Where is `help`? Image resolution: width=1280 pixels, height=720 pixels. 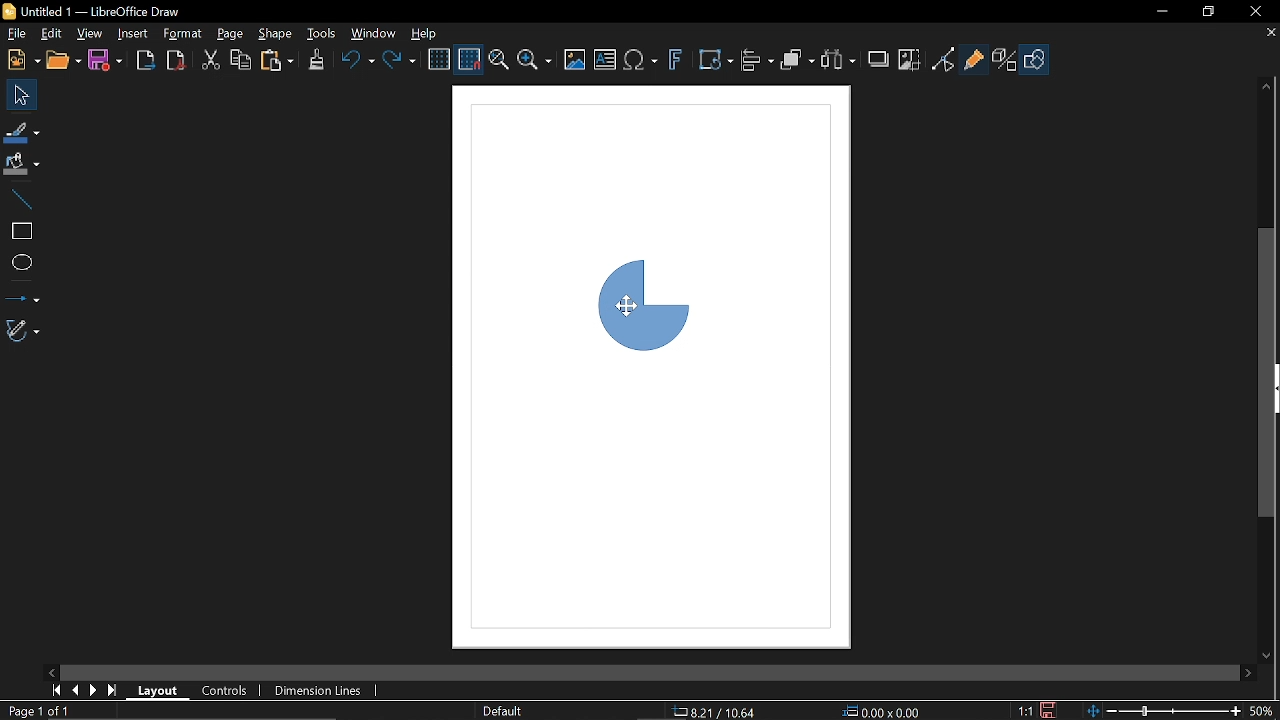
help is located at coordinates (427, 34).